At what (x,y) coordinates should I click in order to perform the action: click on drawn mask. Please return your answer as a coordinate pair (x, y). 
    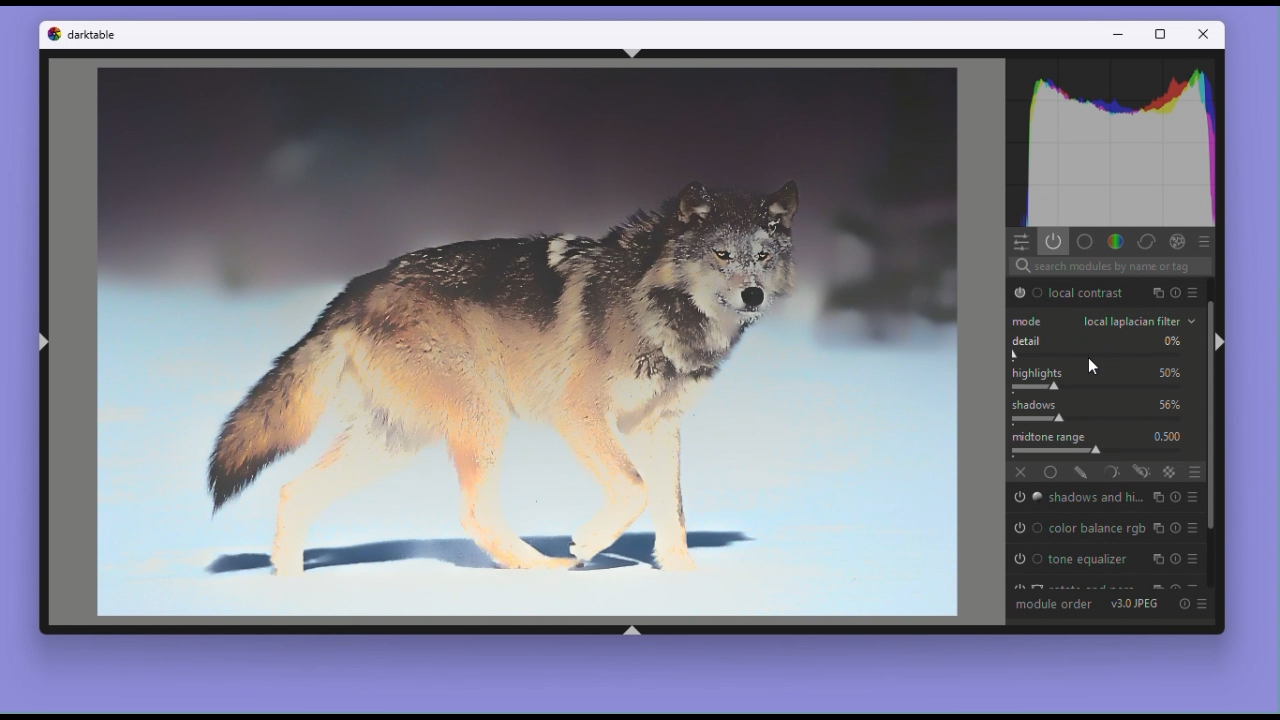
    Looking at the image, I should click on (1081, 473).